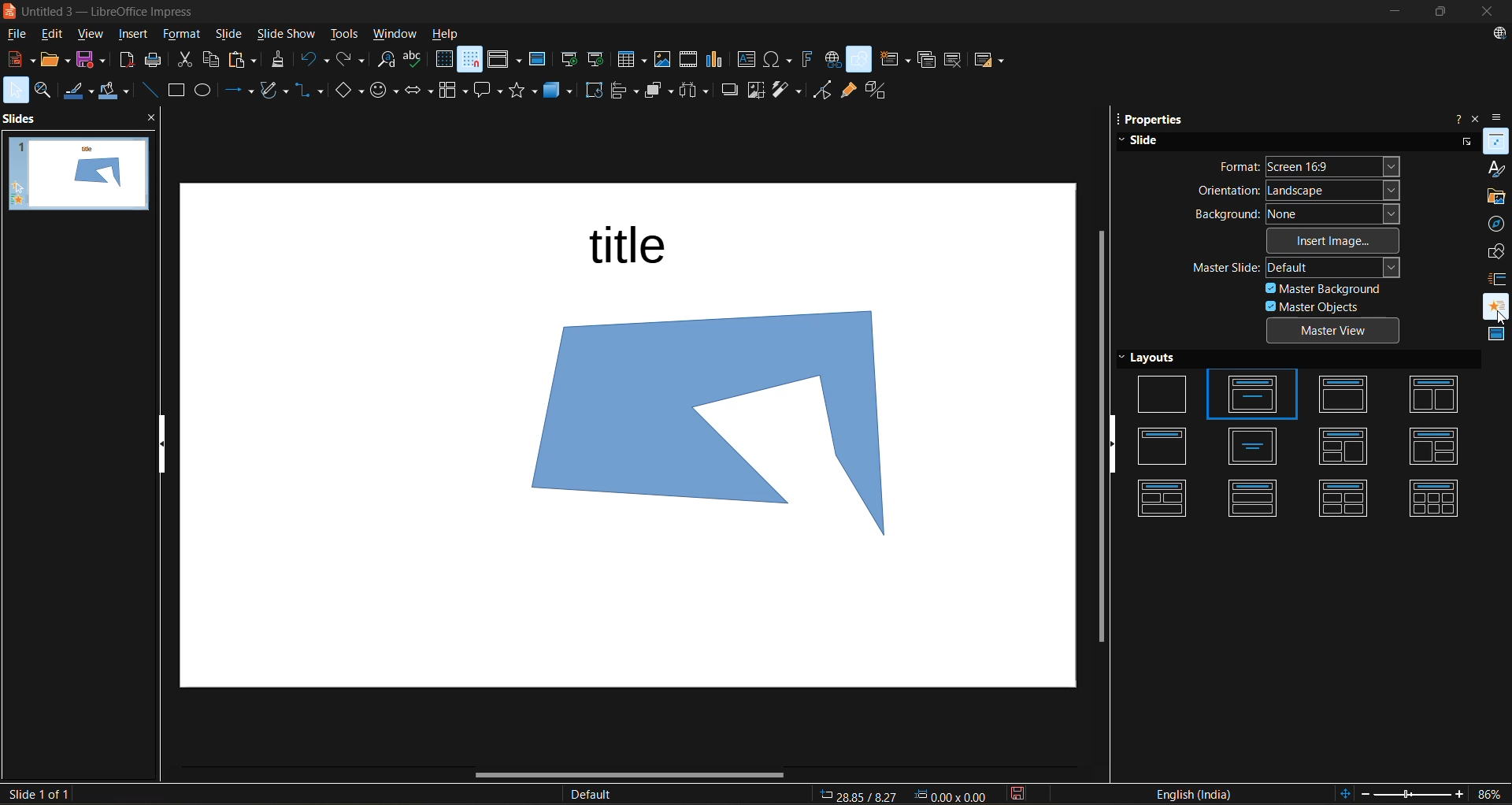  I want to click on close sidebar deck, so click(1478, 117).